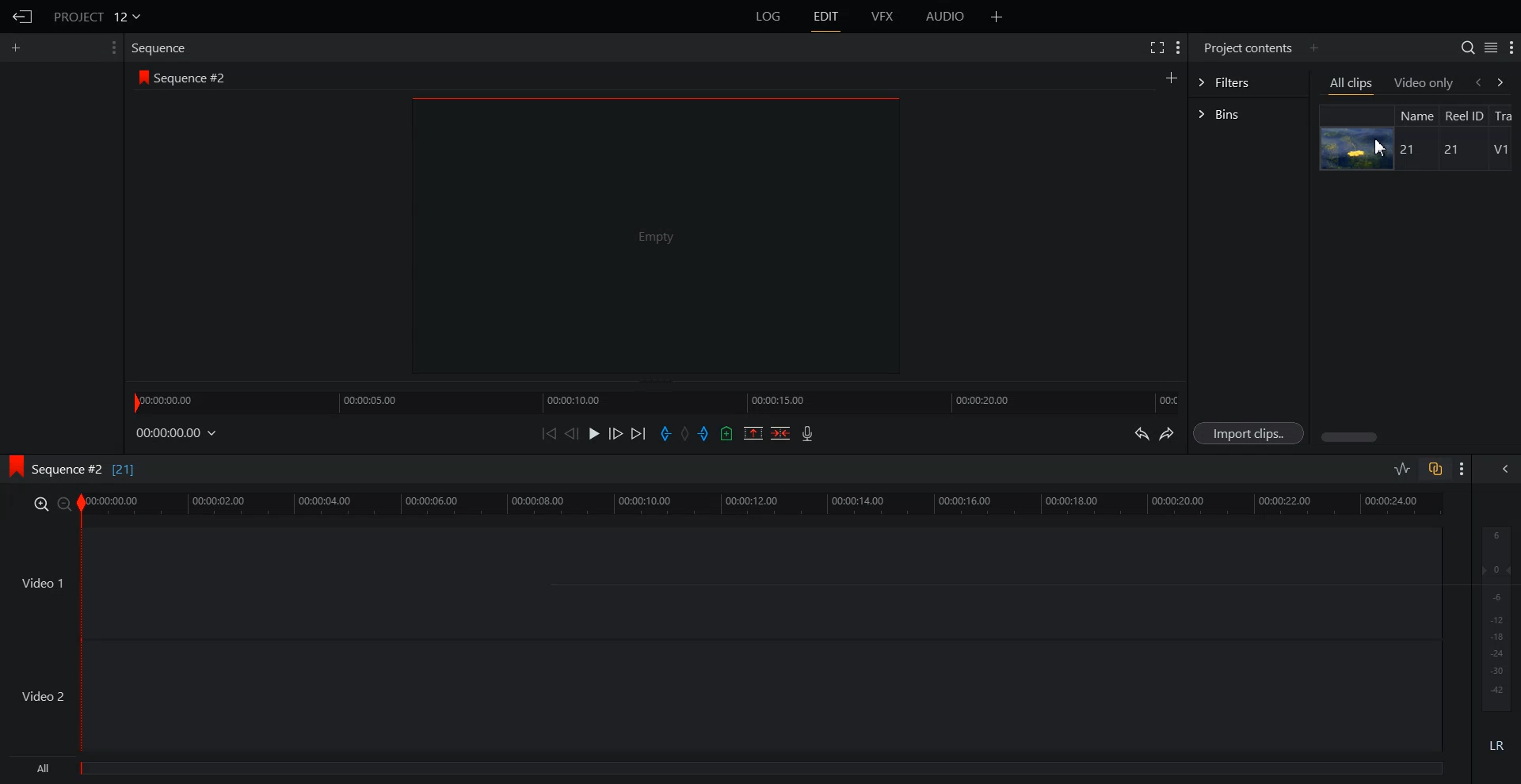  I want to click on forward, so click(1507, 82).